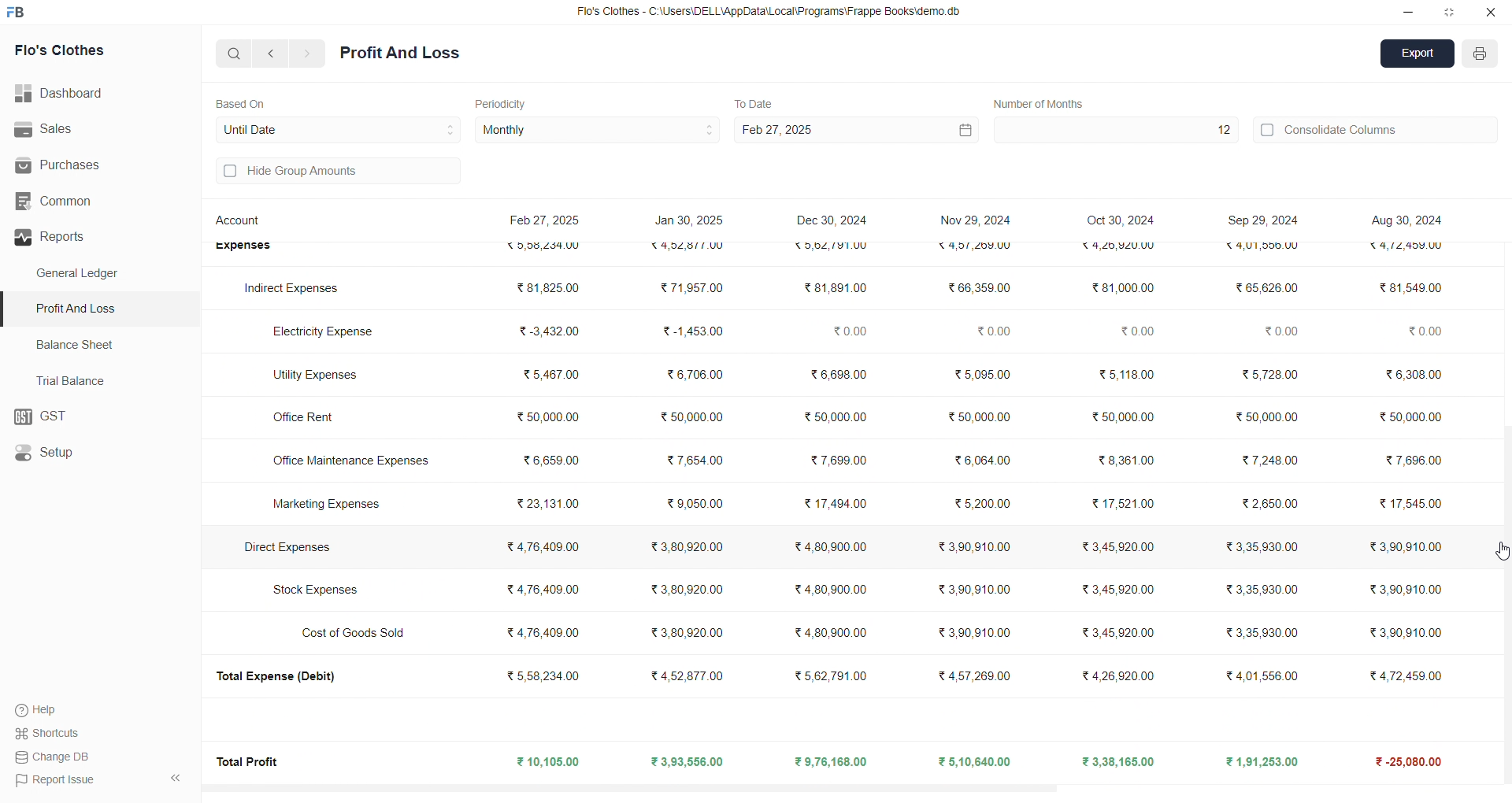 The image size is (1512, 803). I want to click on ₹ 81,825.00, so click(544, 287).